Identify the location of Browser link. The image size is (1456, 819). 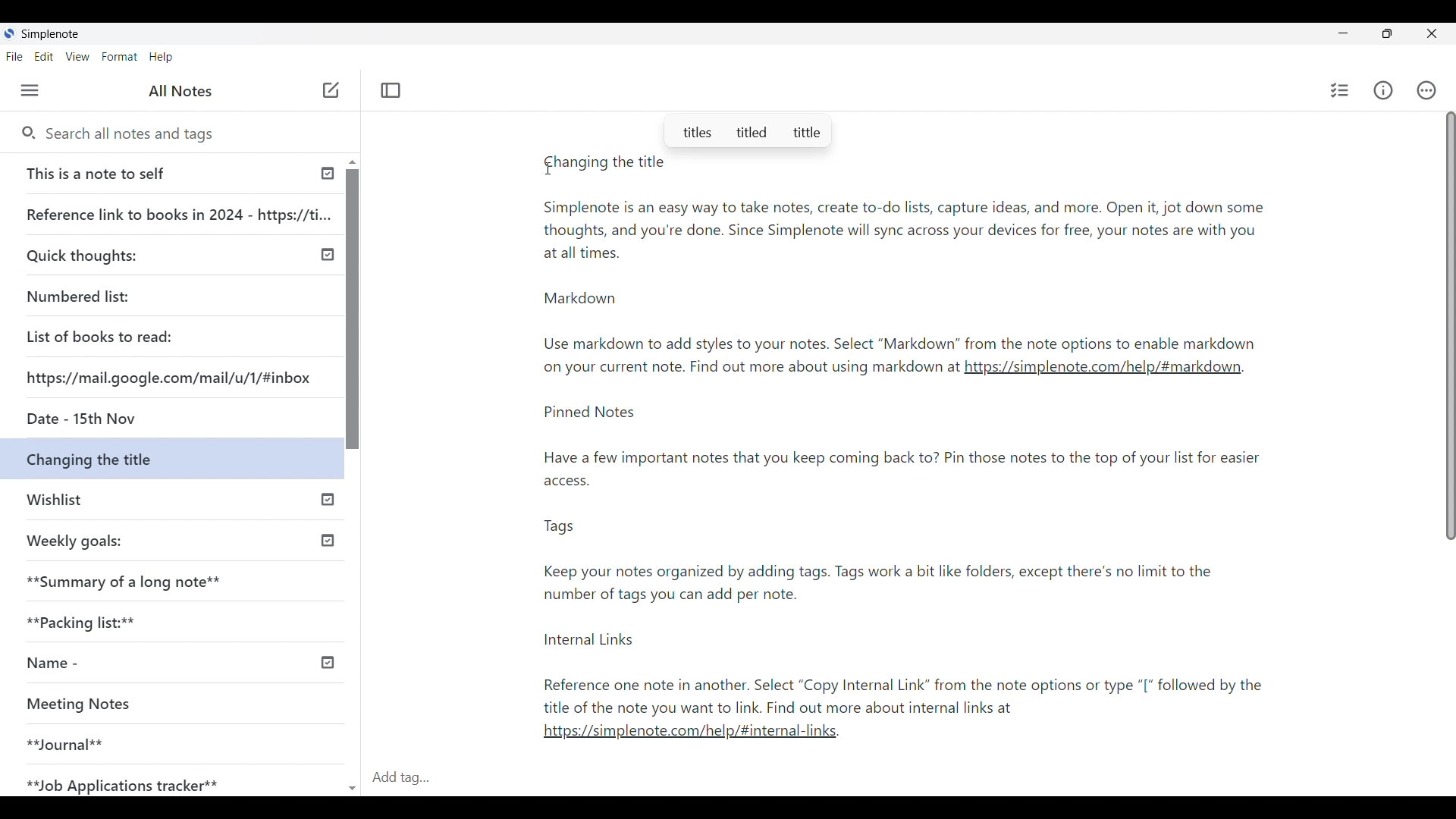
(168, 372).